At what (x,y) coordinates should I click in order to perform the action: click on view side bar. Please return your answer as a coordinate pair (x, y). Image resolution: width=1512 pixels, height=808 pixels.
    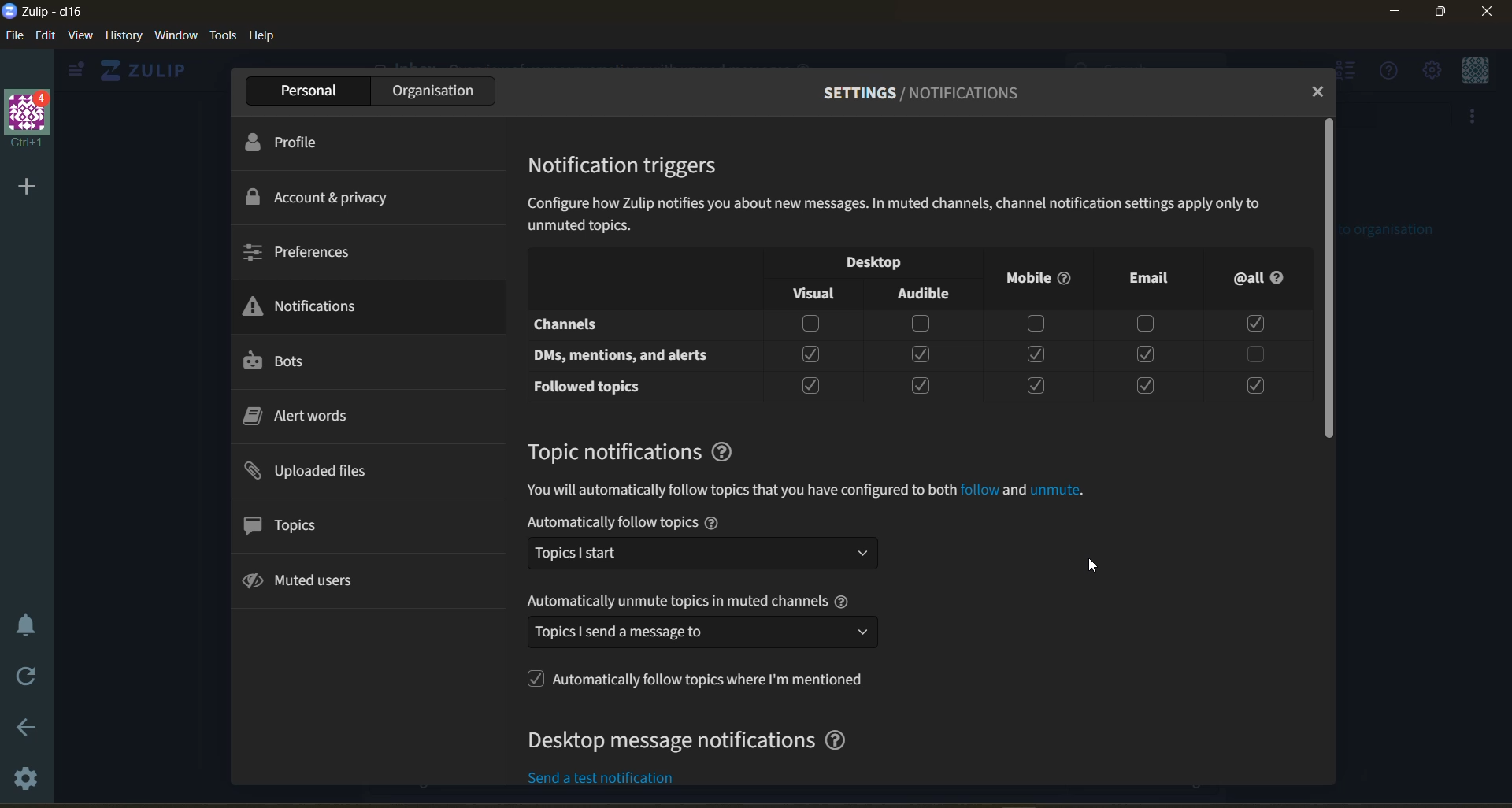
    Looking at the image, I should click on (79, 71).